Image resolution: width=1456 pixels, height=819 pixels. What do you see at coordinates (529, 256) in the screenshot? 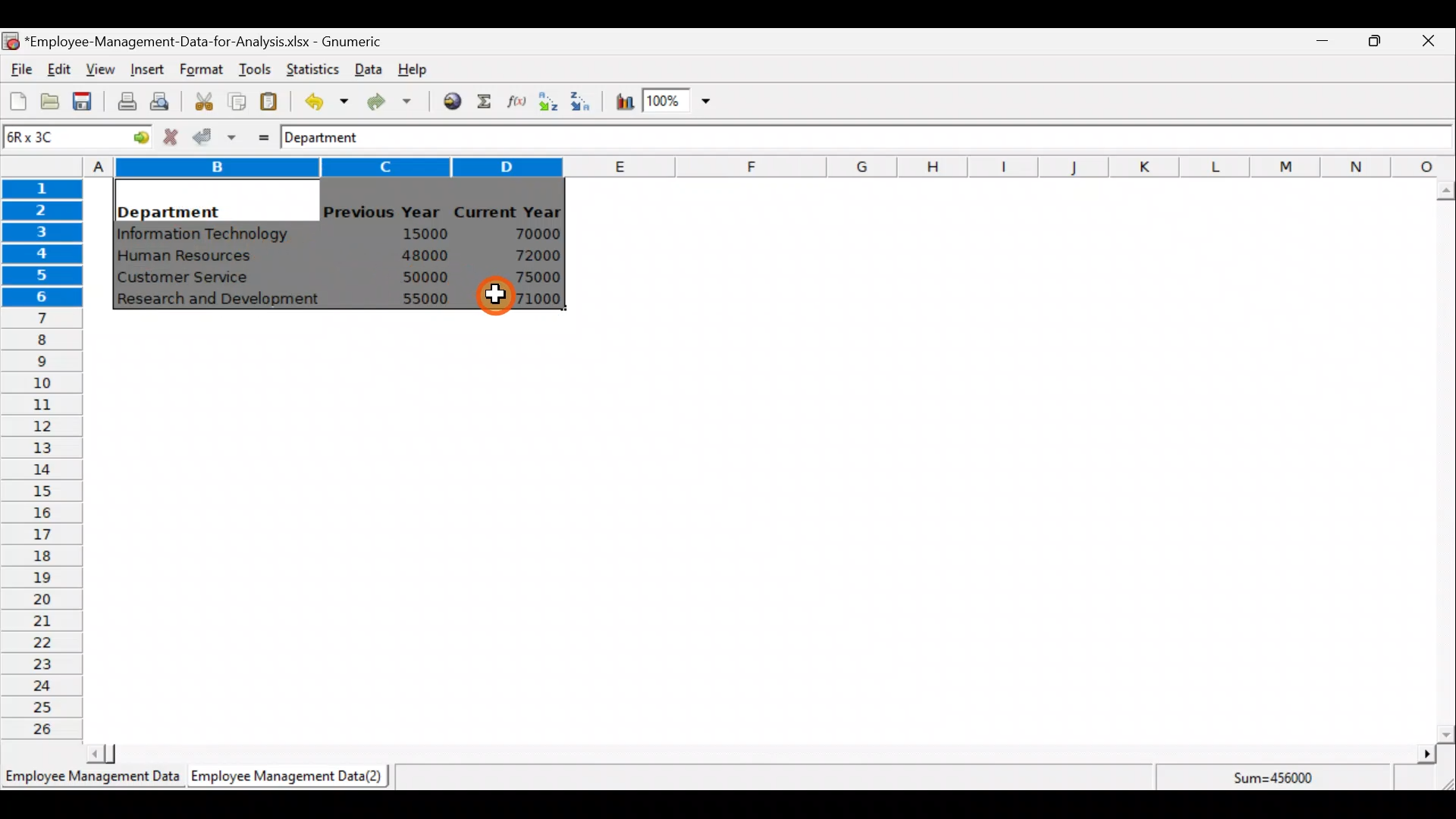
I see `72000` at bounding box center [529, 256].